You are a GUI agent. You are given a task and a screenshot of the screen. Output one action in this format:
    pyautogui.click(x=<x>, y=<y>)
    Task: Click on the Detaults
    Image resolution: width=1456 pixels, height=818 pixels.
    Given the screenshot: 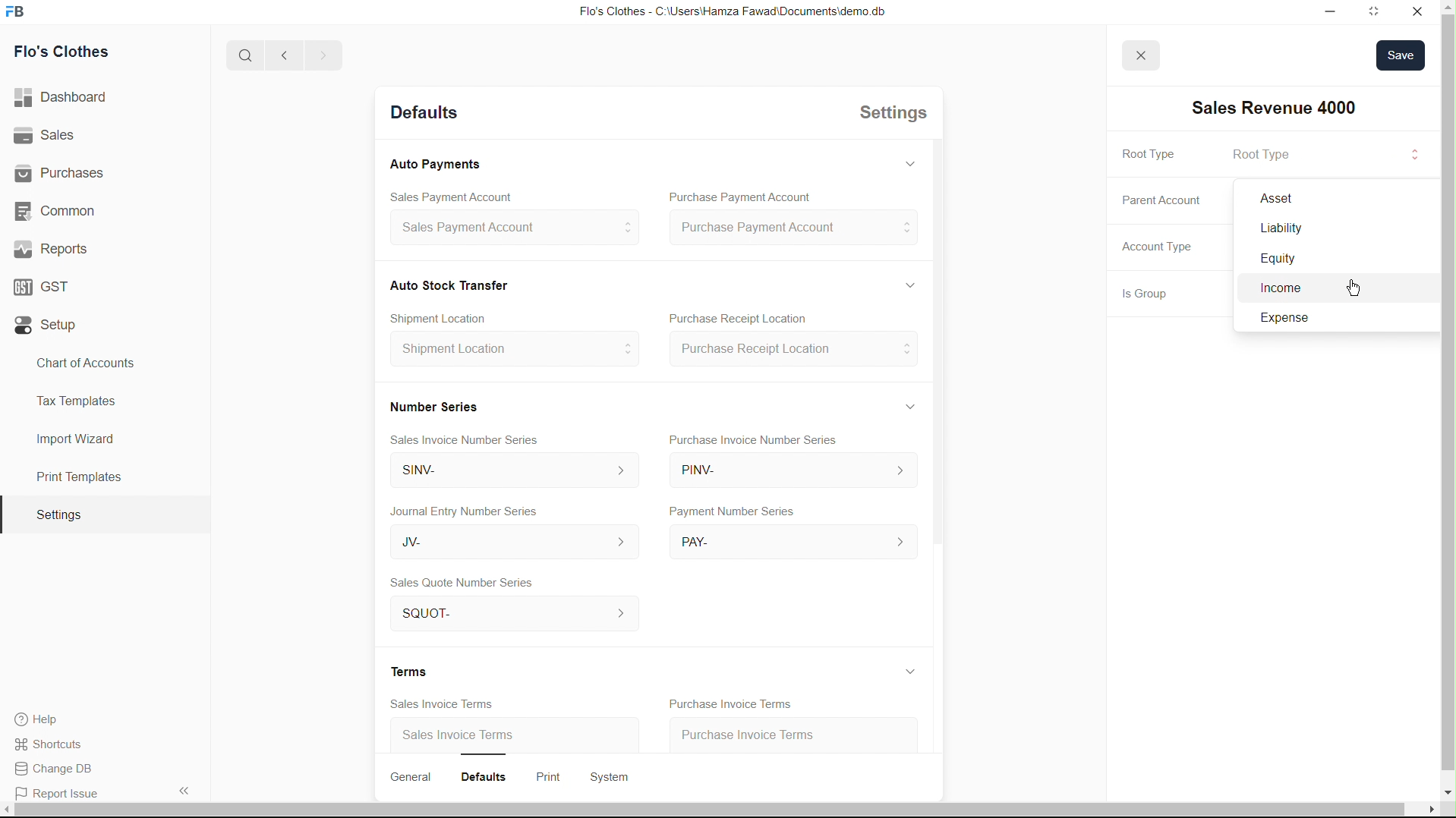 What is the action you would take?
    pyautogui.click(x=430, y=114)
    